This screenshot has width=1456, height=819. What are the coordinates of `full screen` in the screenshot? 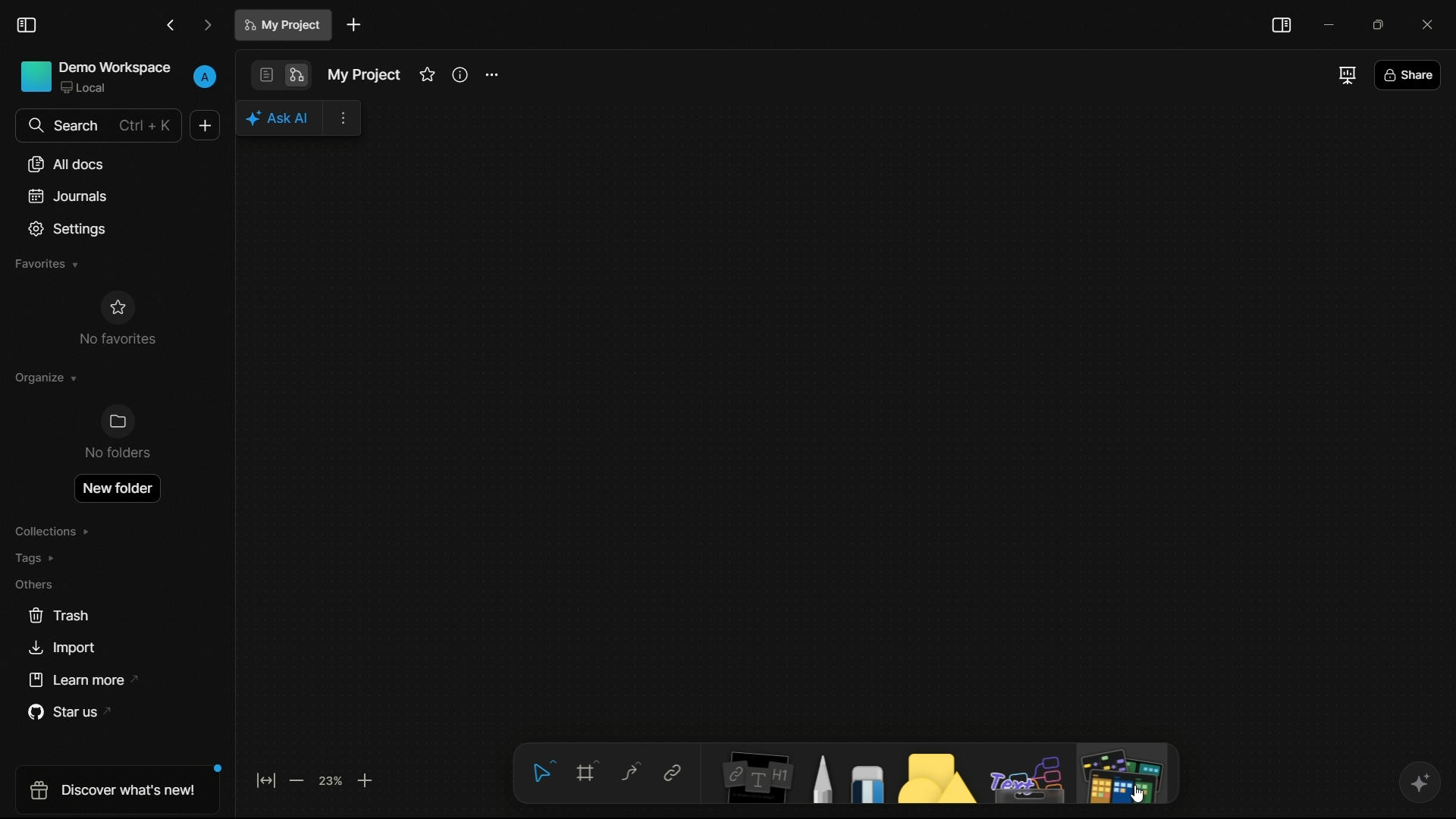 It's located at (1345, 74).